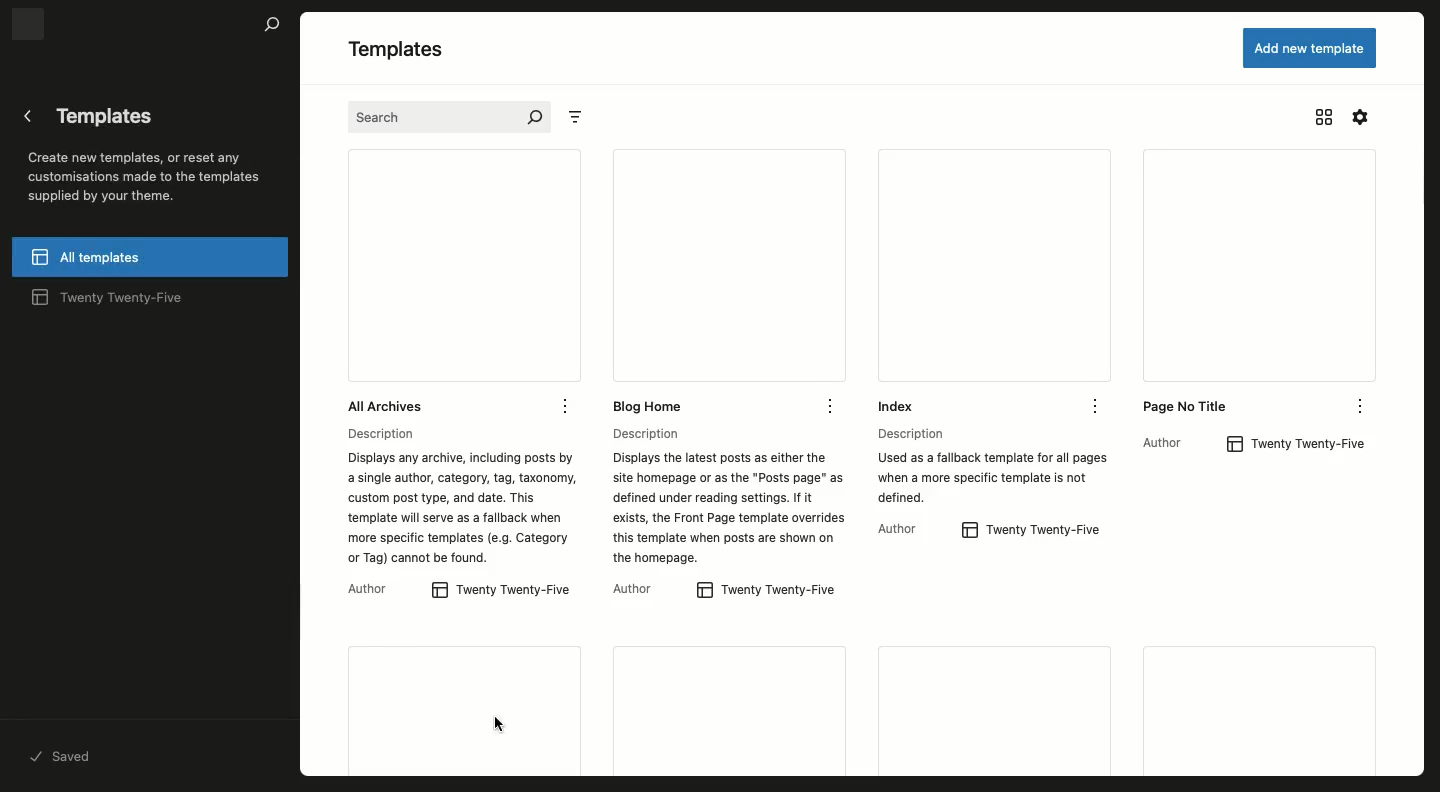 This screenshot has height=792, width=1440. I want to click on Index, so click(897, 407).